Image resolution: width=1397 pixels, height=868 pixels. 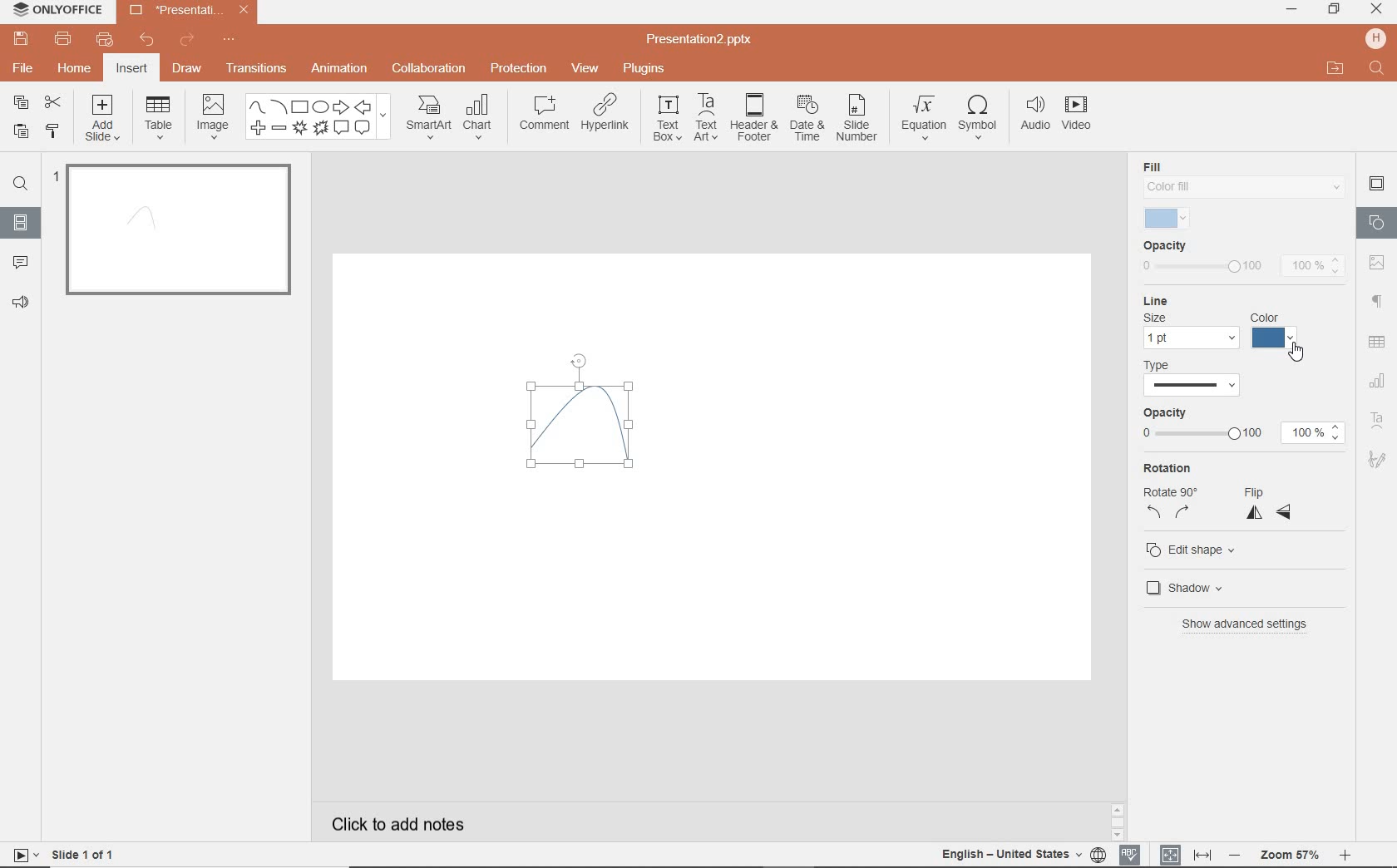 What do you see at coordinates (187, 41) in the screenshot?
I see `REDO` at bounding box center [187, 41].